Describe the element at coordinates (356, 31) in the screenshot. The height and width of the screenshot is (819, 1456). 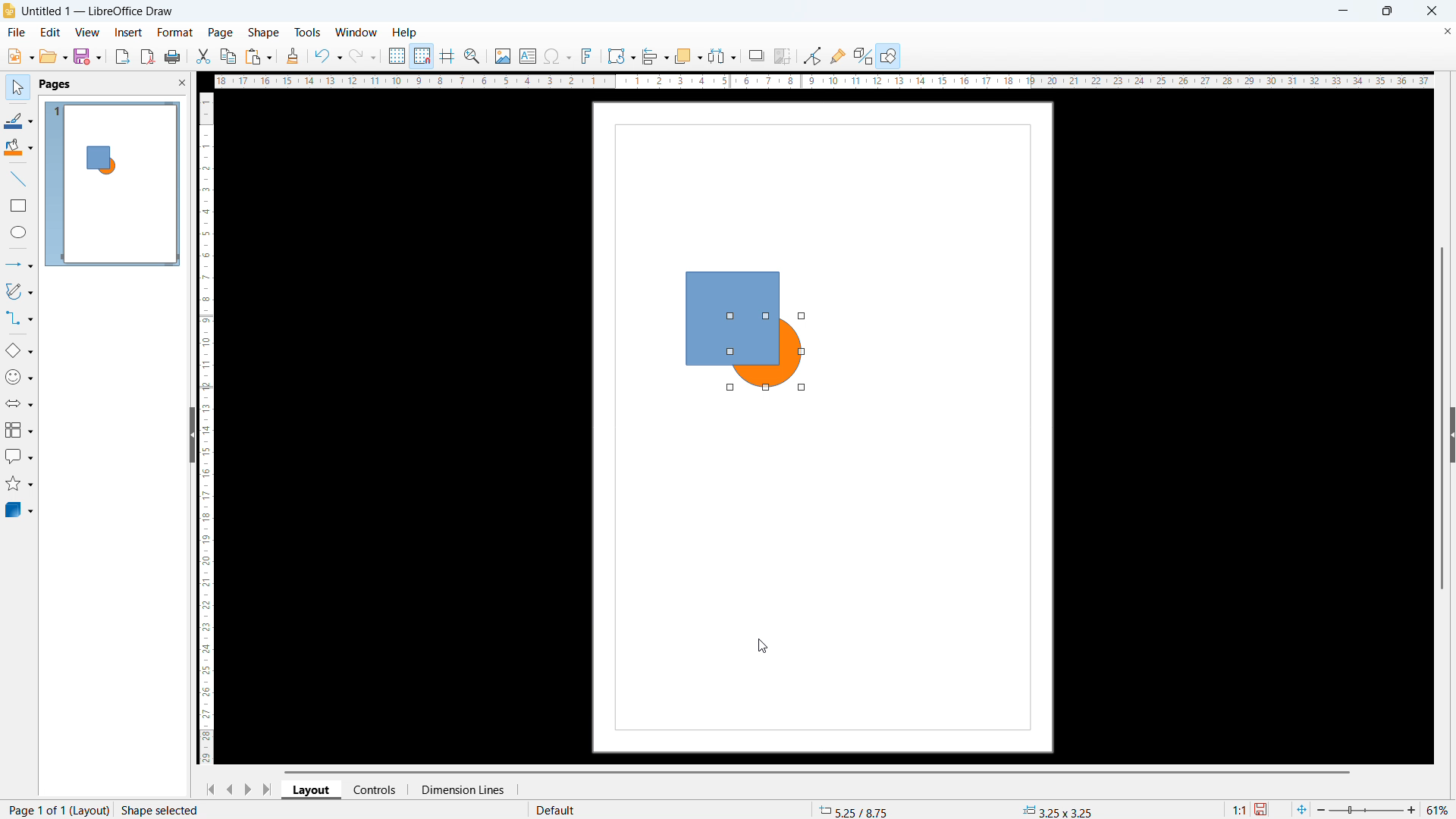
I see `window ` at that location.